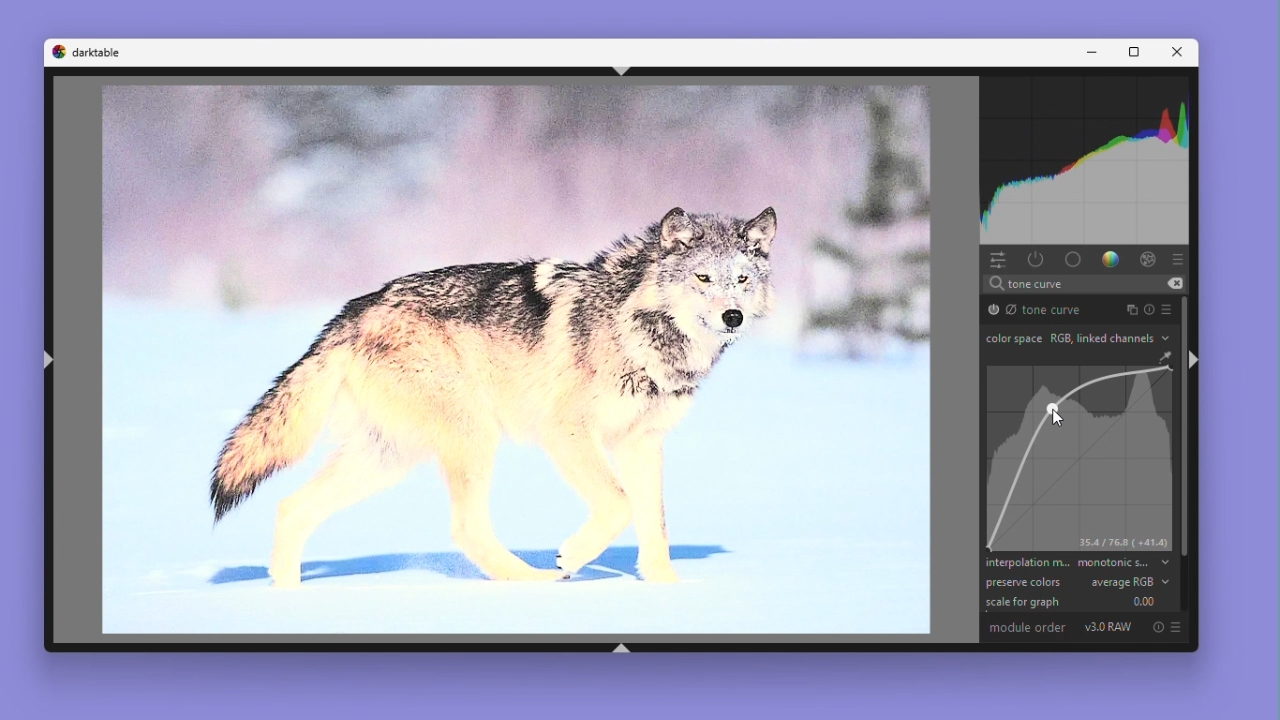  Describe the element at coordinates (1132, 309) in the screenshot. I see `Instance` at that location.